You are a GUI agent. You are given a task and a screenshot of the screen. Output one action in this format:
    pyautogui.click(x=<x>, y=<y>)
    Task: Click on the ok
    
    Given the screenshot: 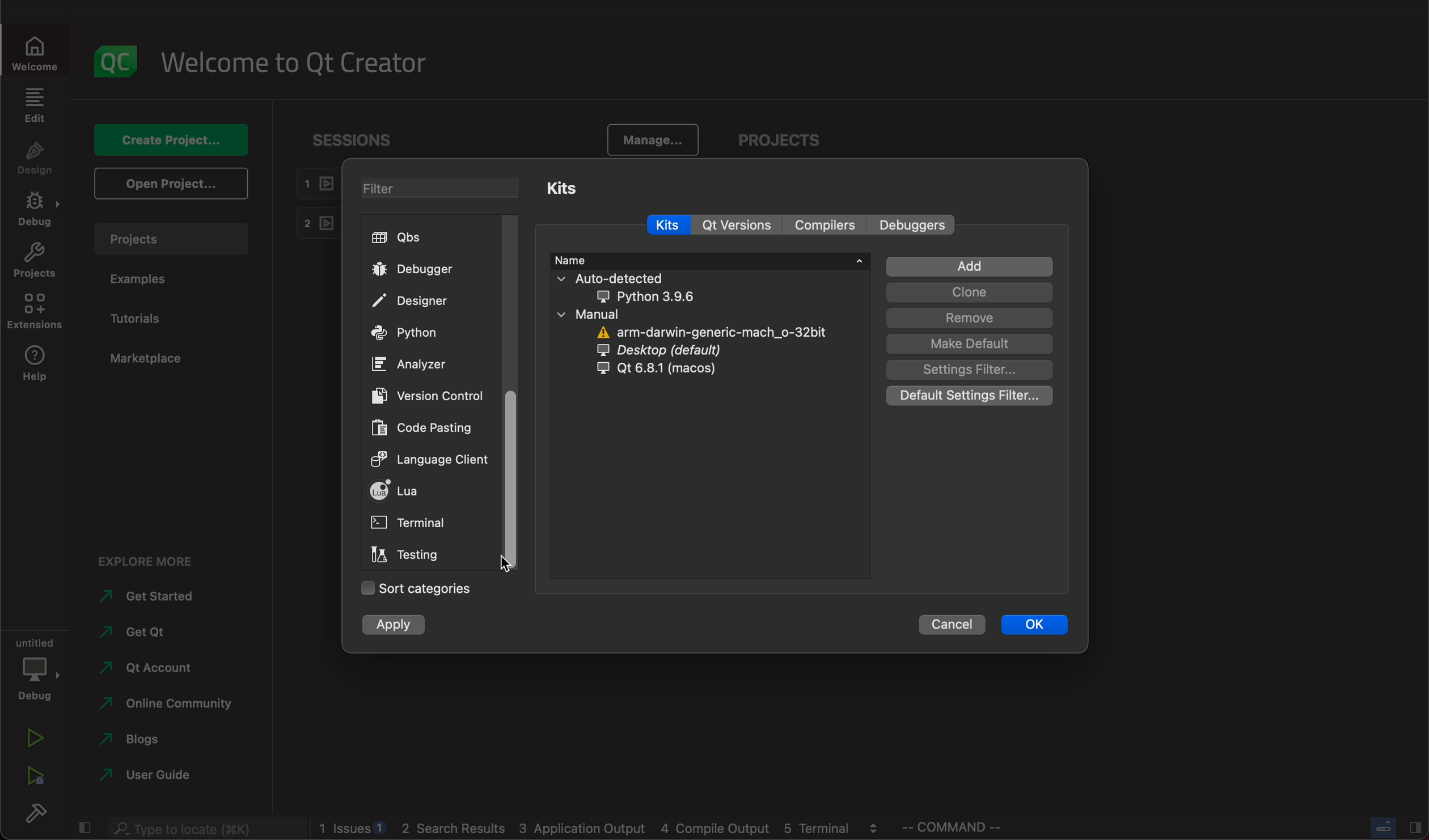 What is the action you would take?
    pyautogui.click(x=1039, y=623)
    